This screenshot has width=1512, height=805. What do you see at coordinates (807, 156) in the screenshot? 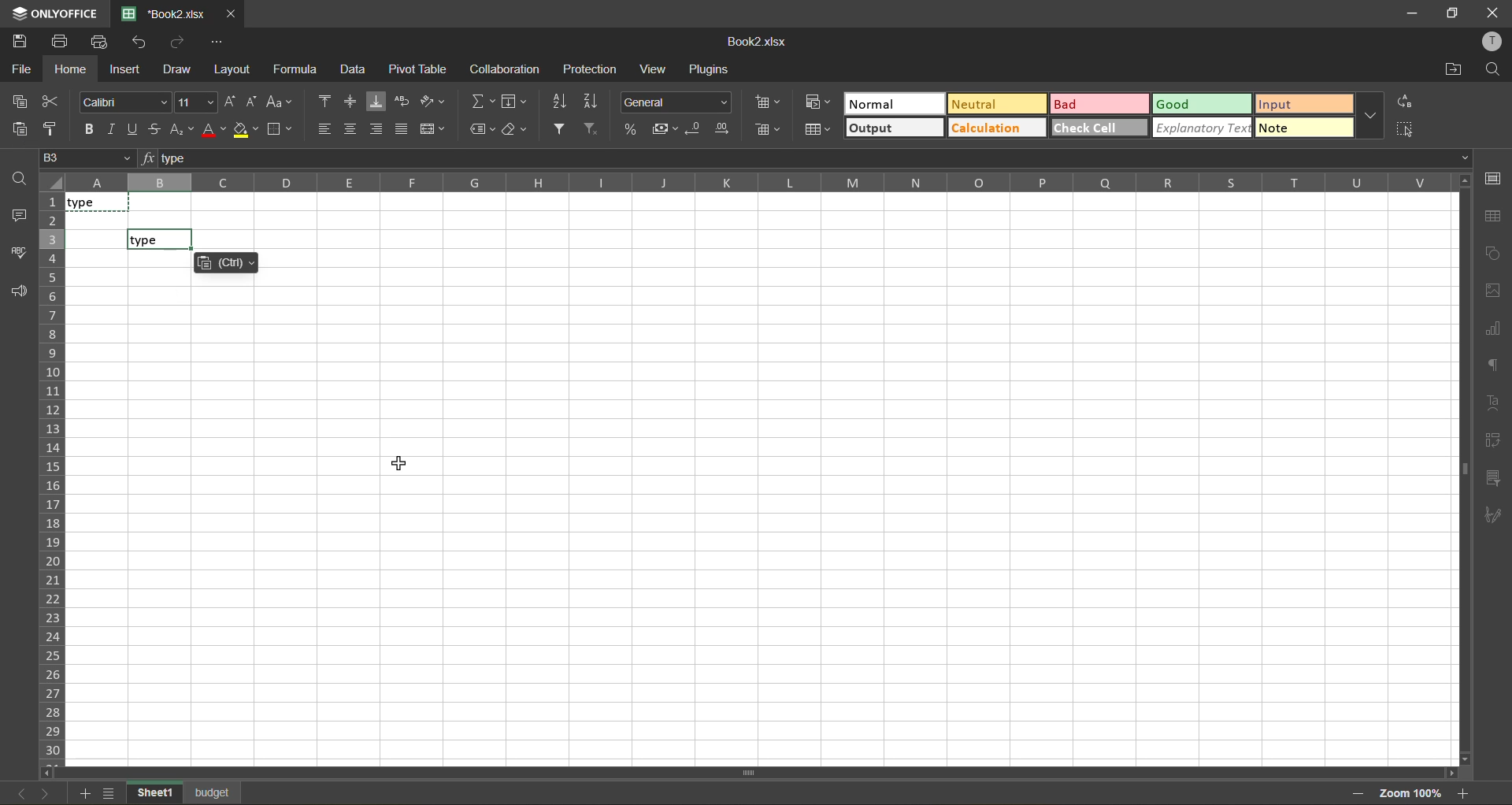
I see `formula bar` at bounding box center [807, 156].